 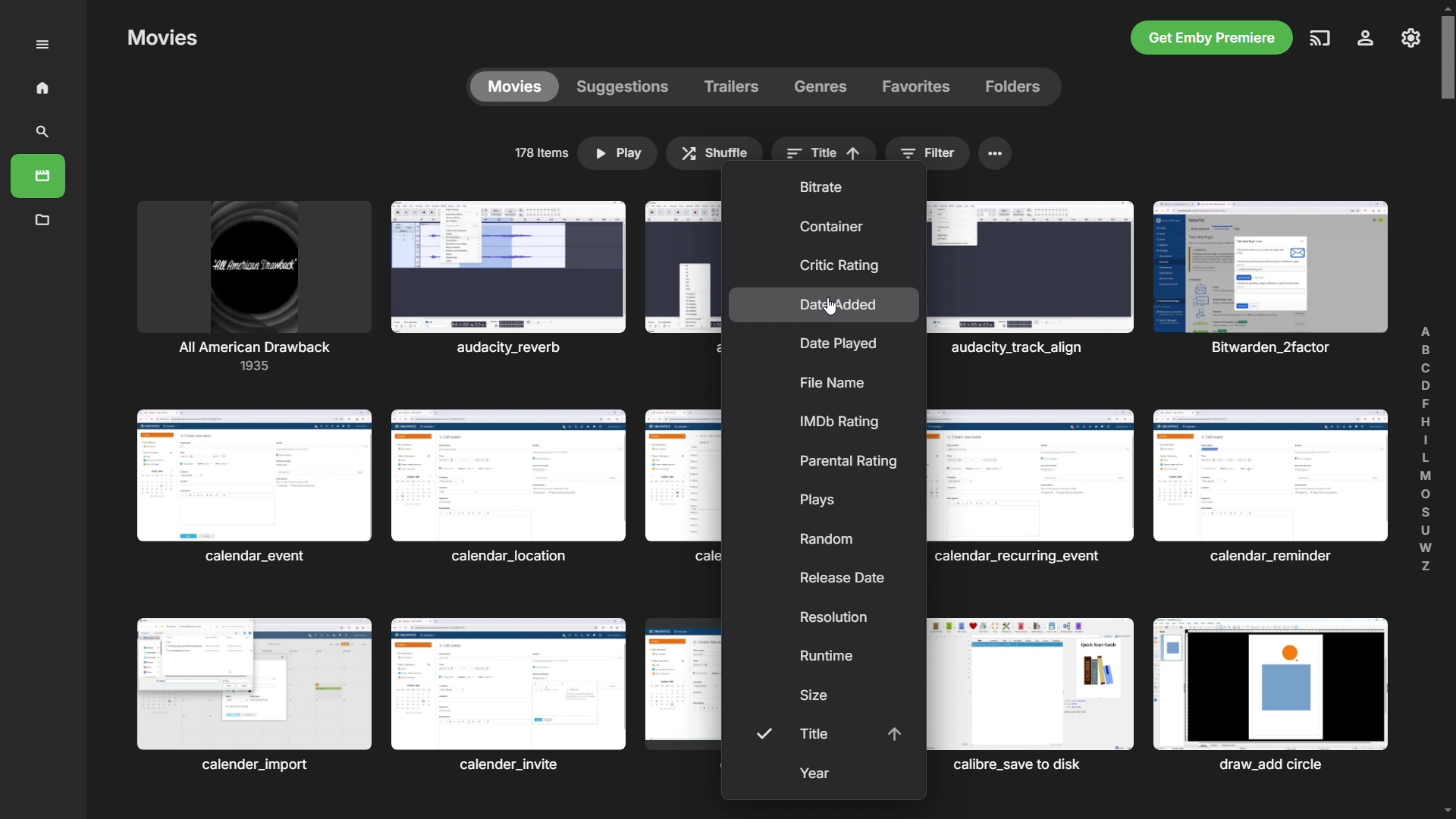 I want to click on genres, so click(x=824, y=87).